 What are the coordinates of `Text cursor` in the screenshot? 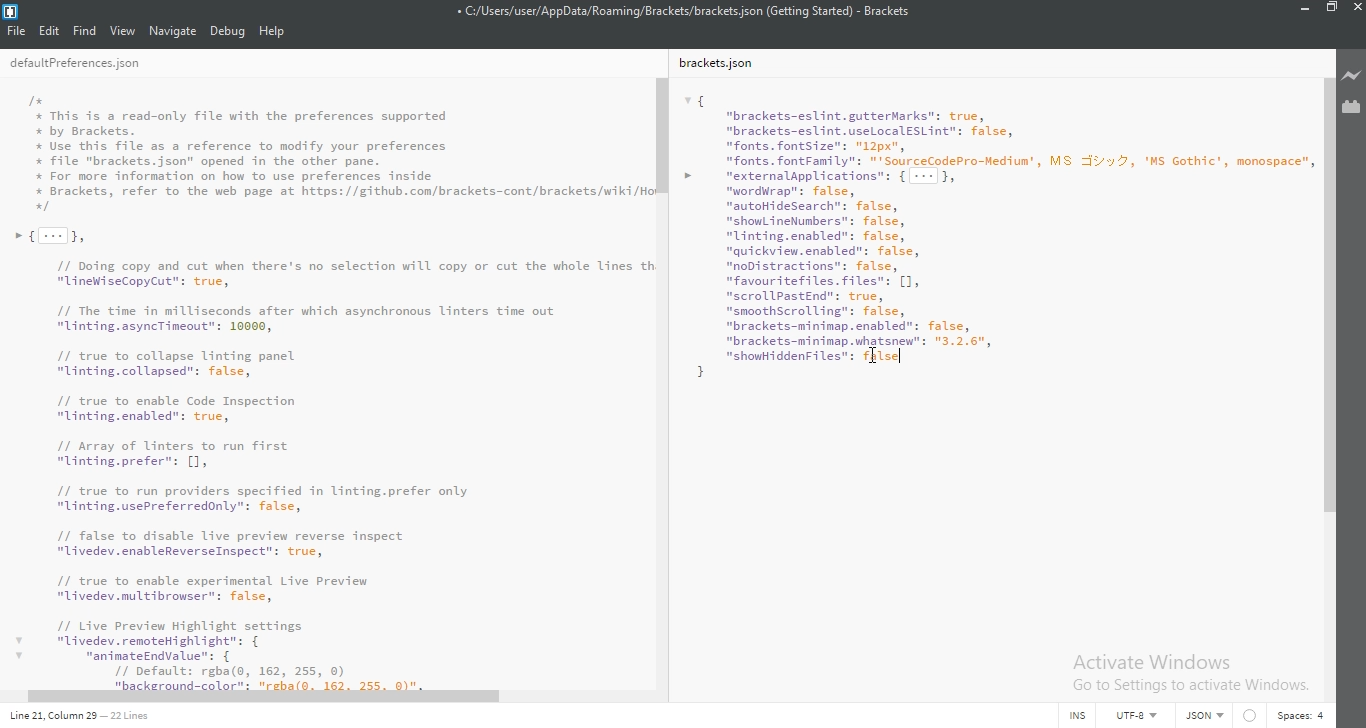 It's located at (901, 356).